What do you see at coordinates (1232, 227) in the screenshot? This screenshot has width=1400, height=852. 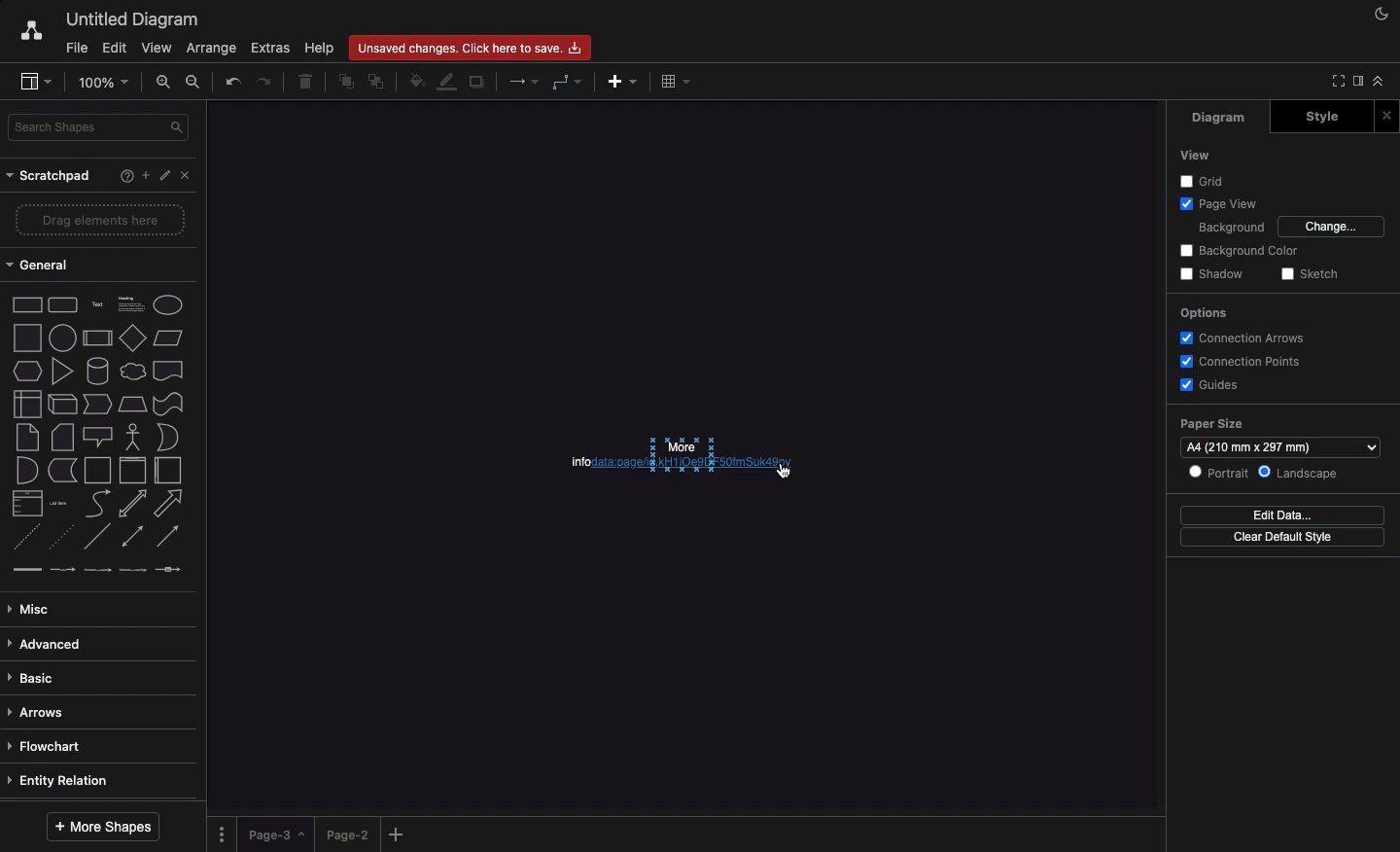 I see `Background` at bounding box center [1232, 227].